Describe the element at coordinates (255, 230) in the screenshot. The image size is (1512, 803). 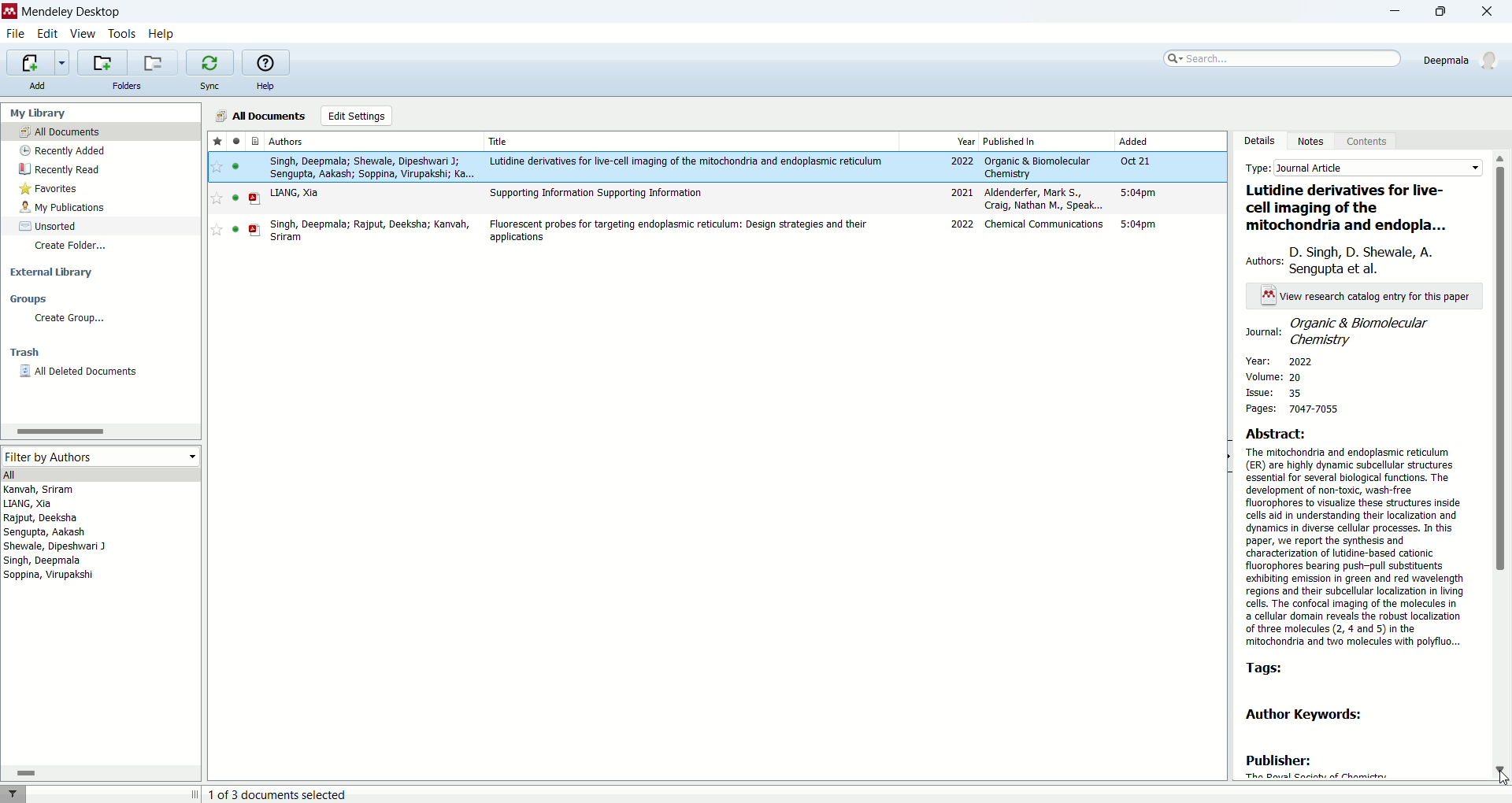
I see `PDF` at that location.